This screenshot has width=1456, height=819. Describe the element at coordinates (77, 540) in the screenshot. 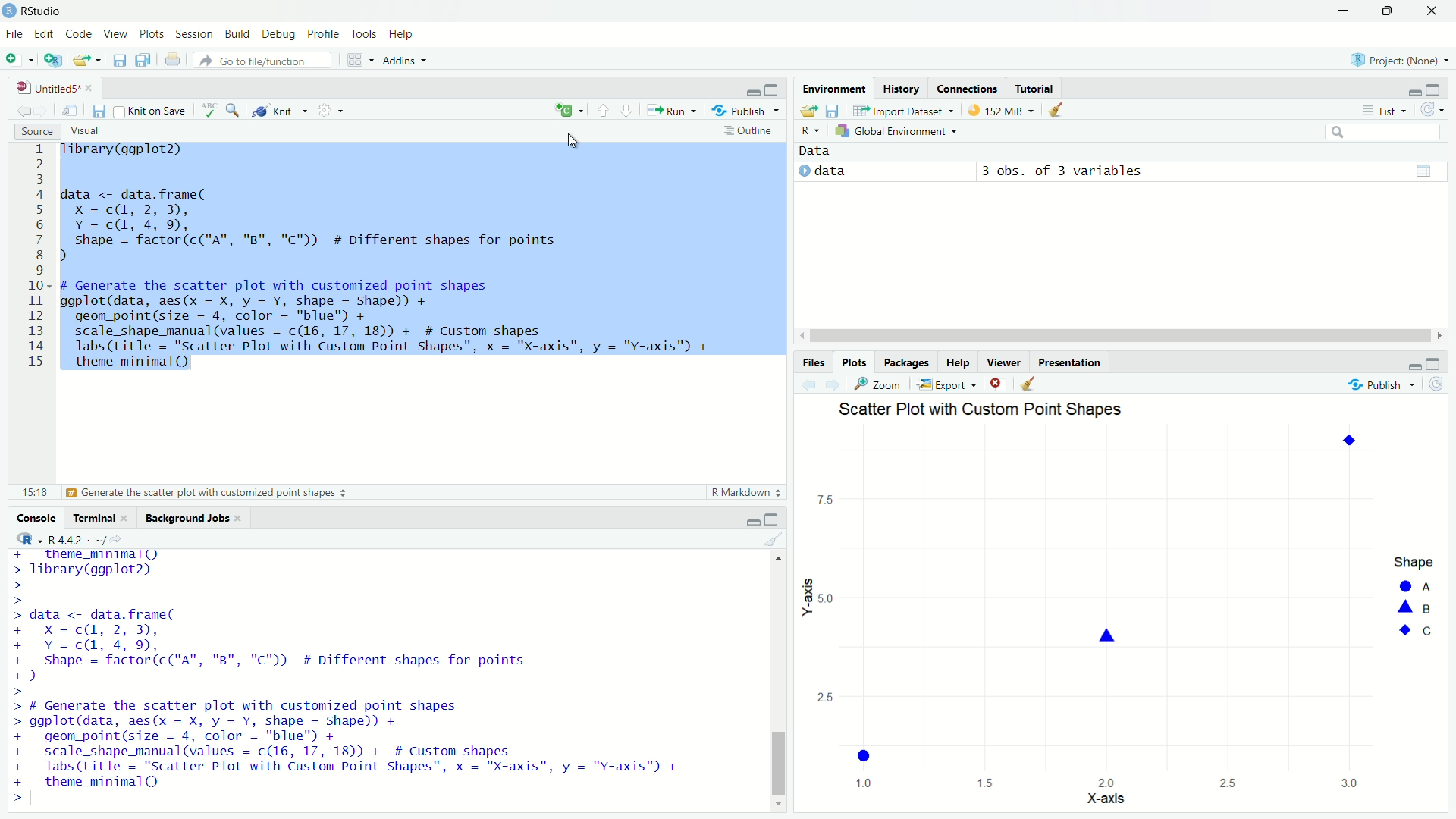

I see `R 4.4.2 .~/` at that location.